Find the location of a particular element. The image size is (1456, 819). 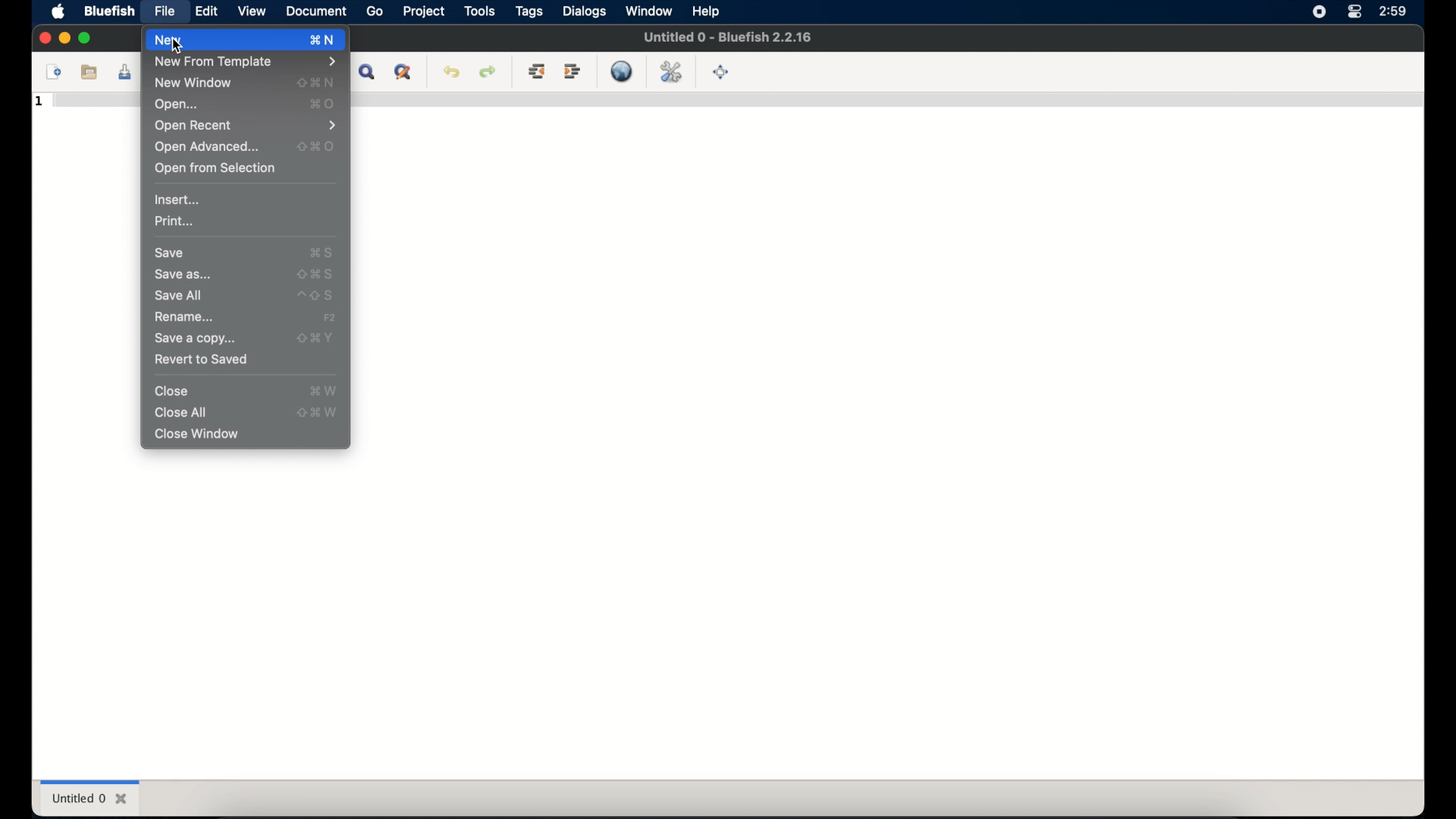

preview in browser is located at coordinates (622, 71).